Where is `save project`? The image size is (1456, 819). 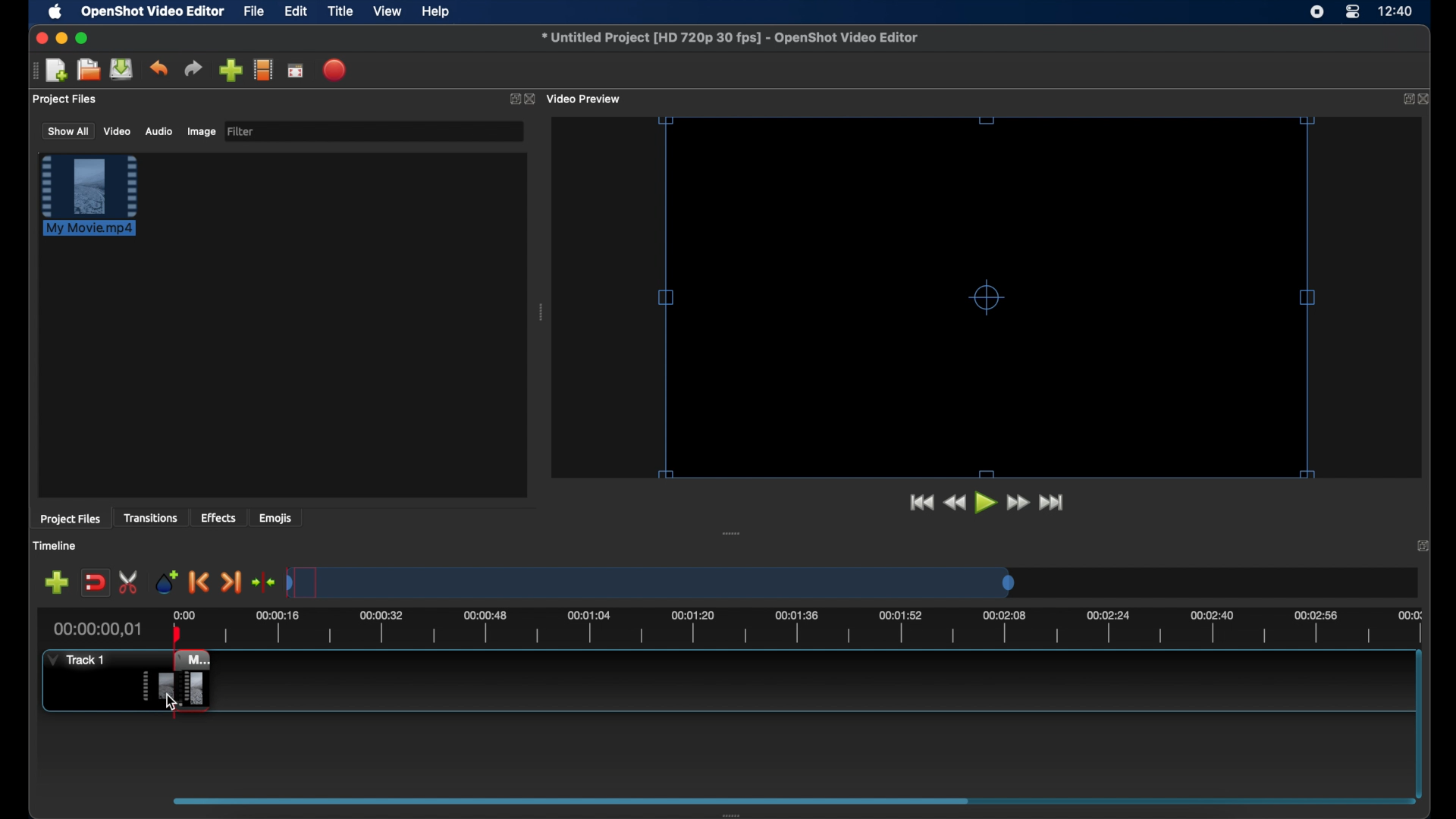
save project is located at coordinates (121, 69).